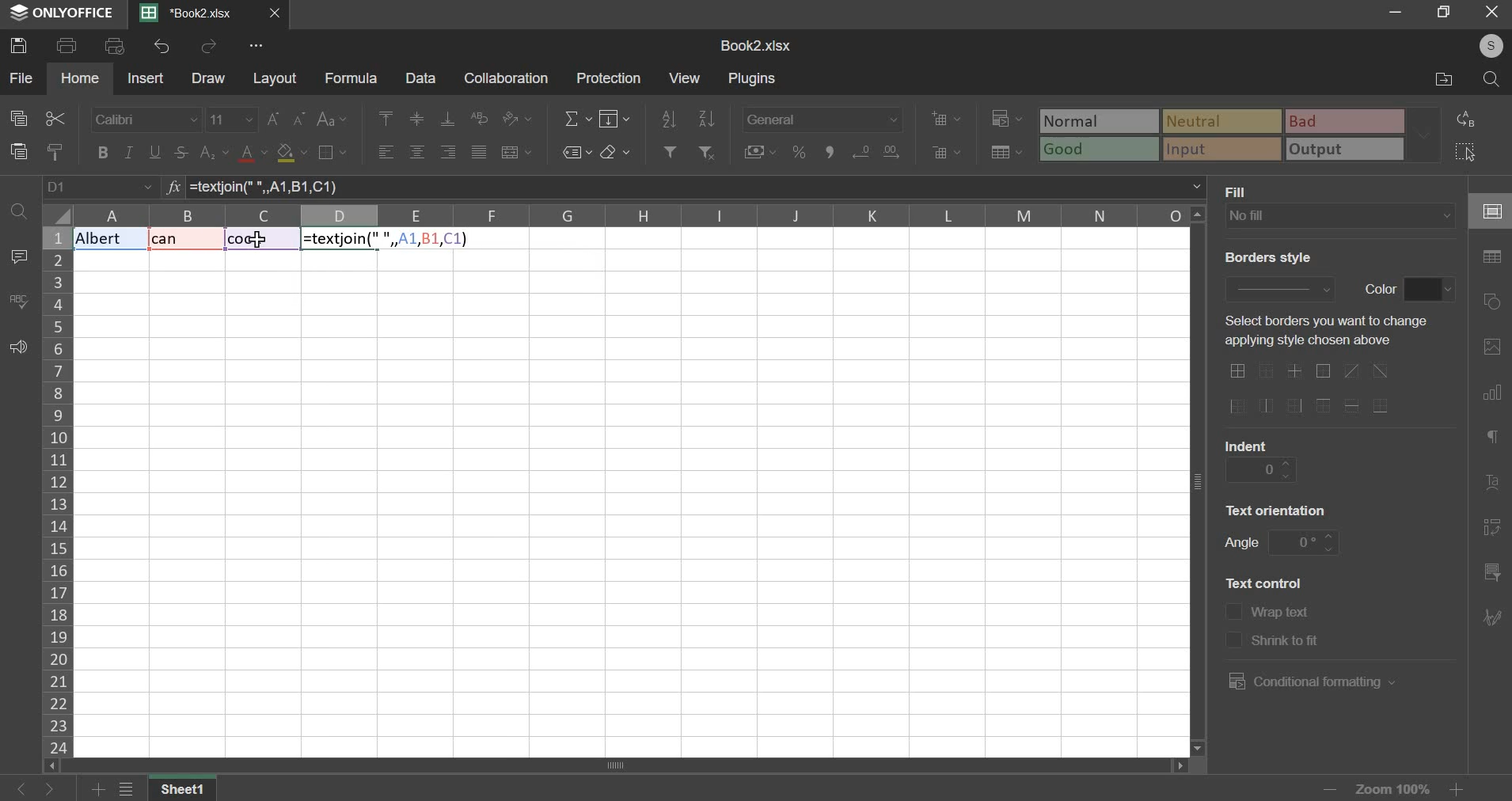 Image resolution: width=1512 pixels, height=801 pixels. What do you see at coordinates (18, 256) in the screenshot?
I see `comment` at bounding box center [18, 256].